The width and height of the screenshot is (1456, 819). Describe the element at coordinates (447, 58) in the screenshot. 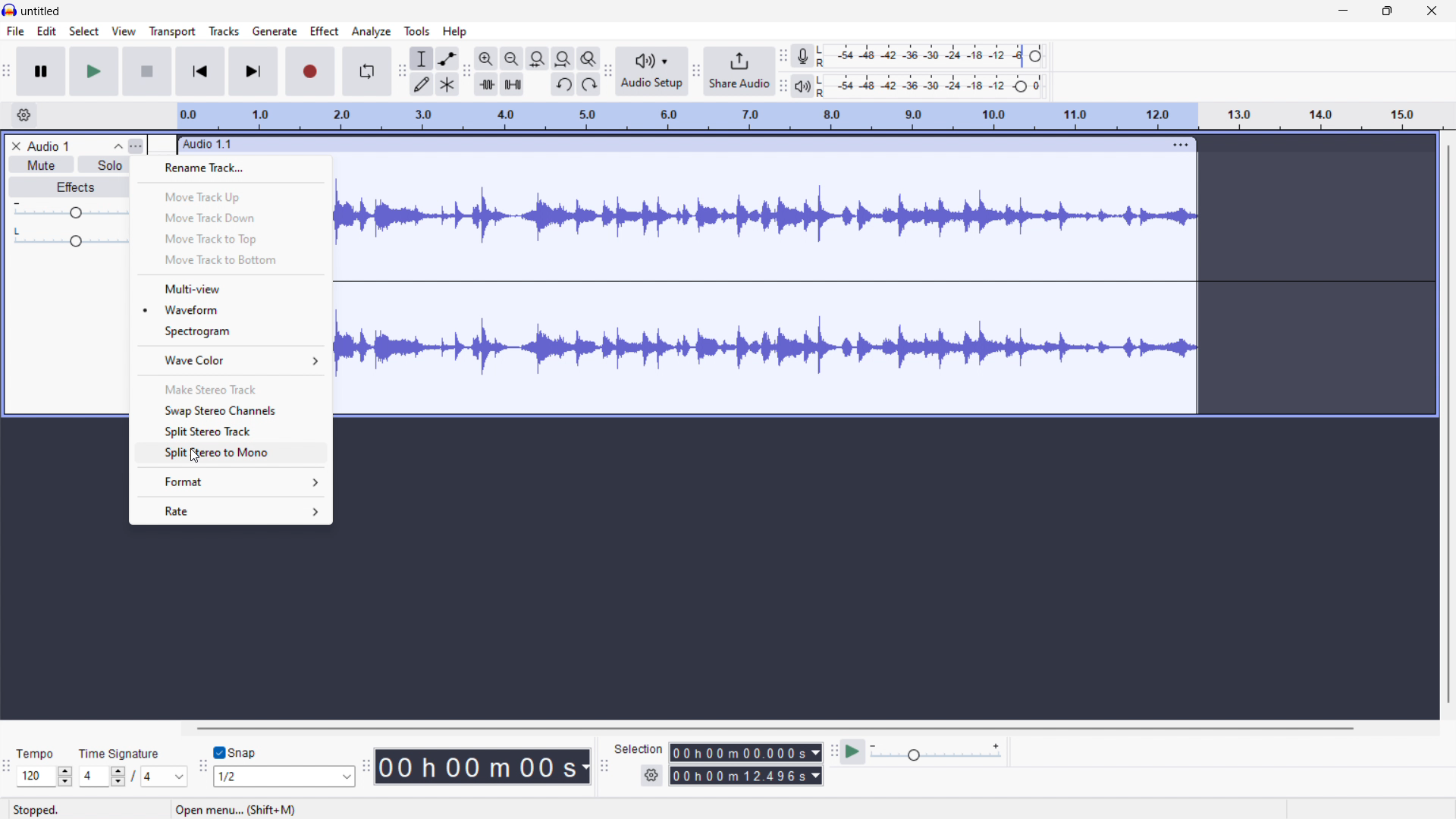

I see `envelop tool` at that location.